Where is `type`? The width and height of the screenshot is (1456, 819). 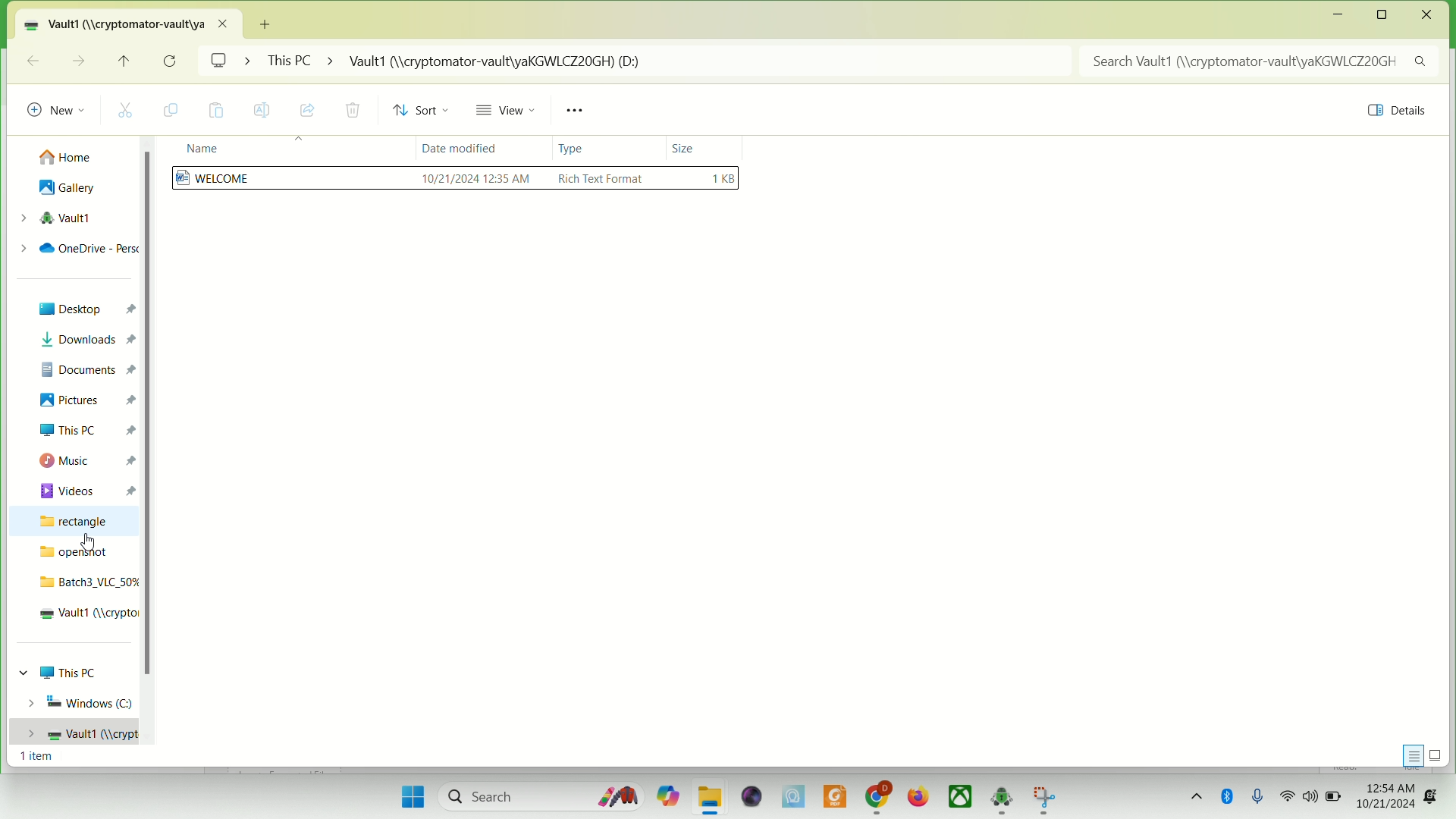
type is located at coordinates (579, 148).